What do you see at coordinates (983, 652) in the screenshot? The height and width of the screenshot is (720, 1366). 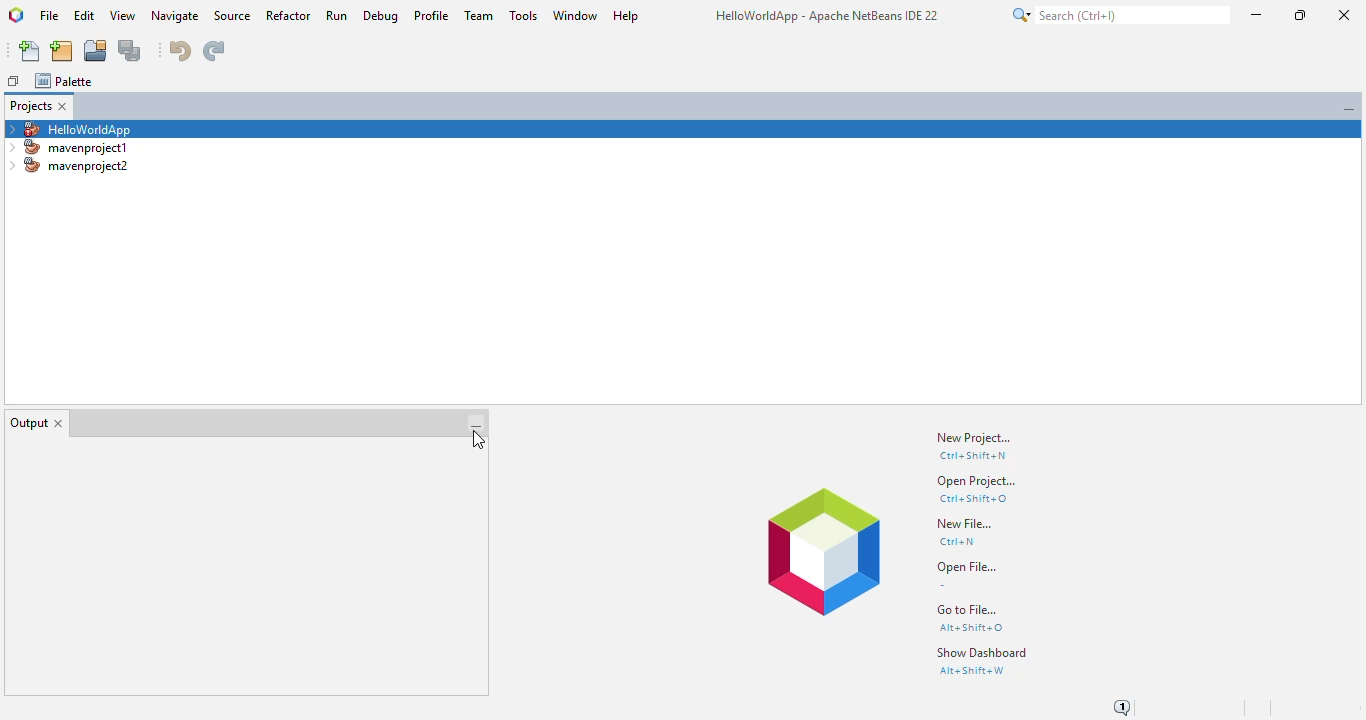 I see `show dashboard` at bounding box center [983, 652].